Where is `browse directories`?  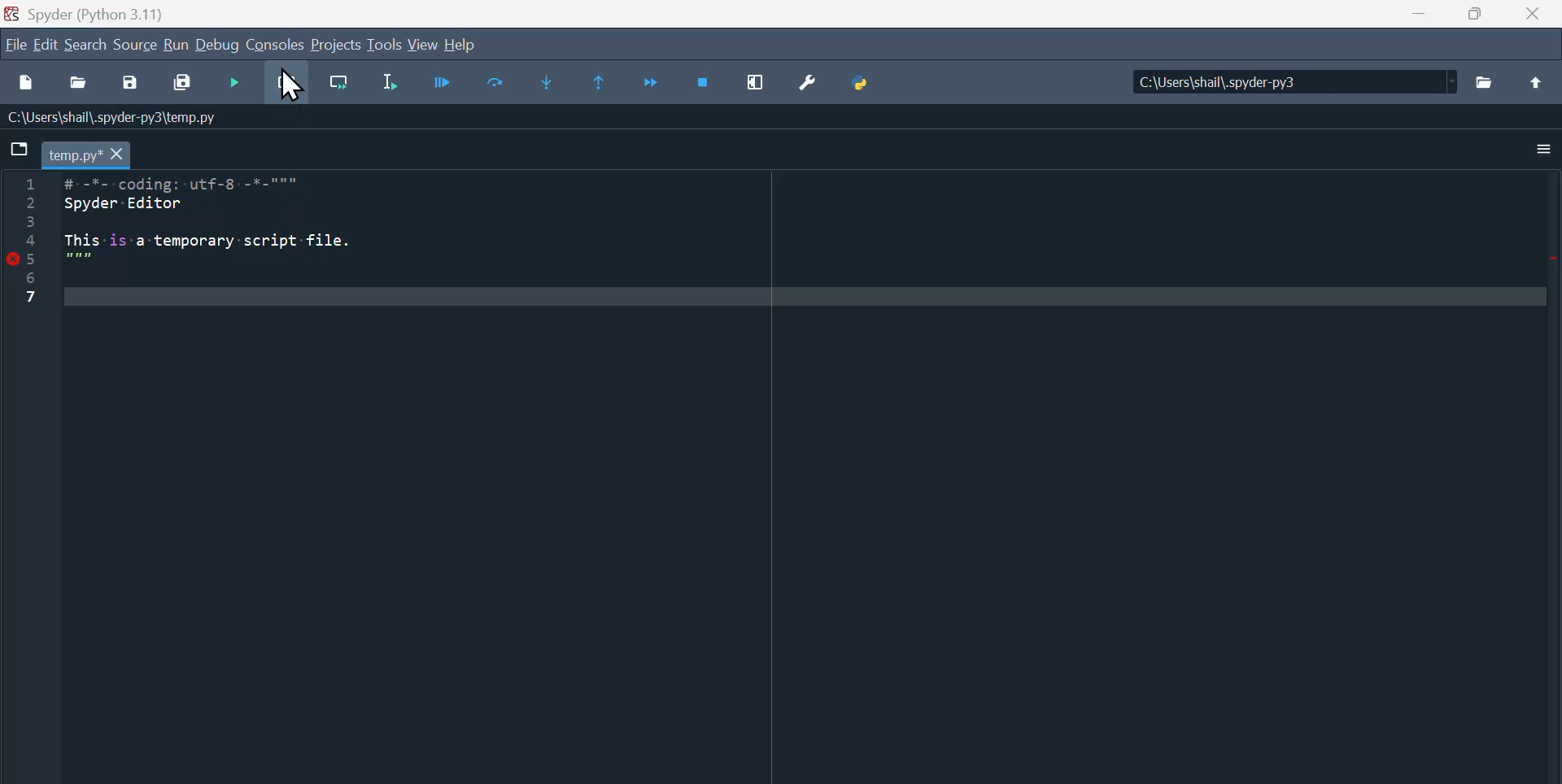
browse directories is located at coordinates (1487, 82).